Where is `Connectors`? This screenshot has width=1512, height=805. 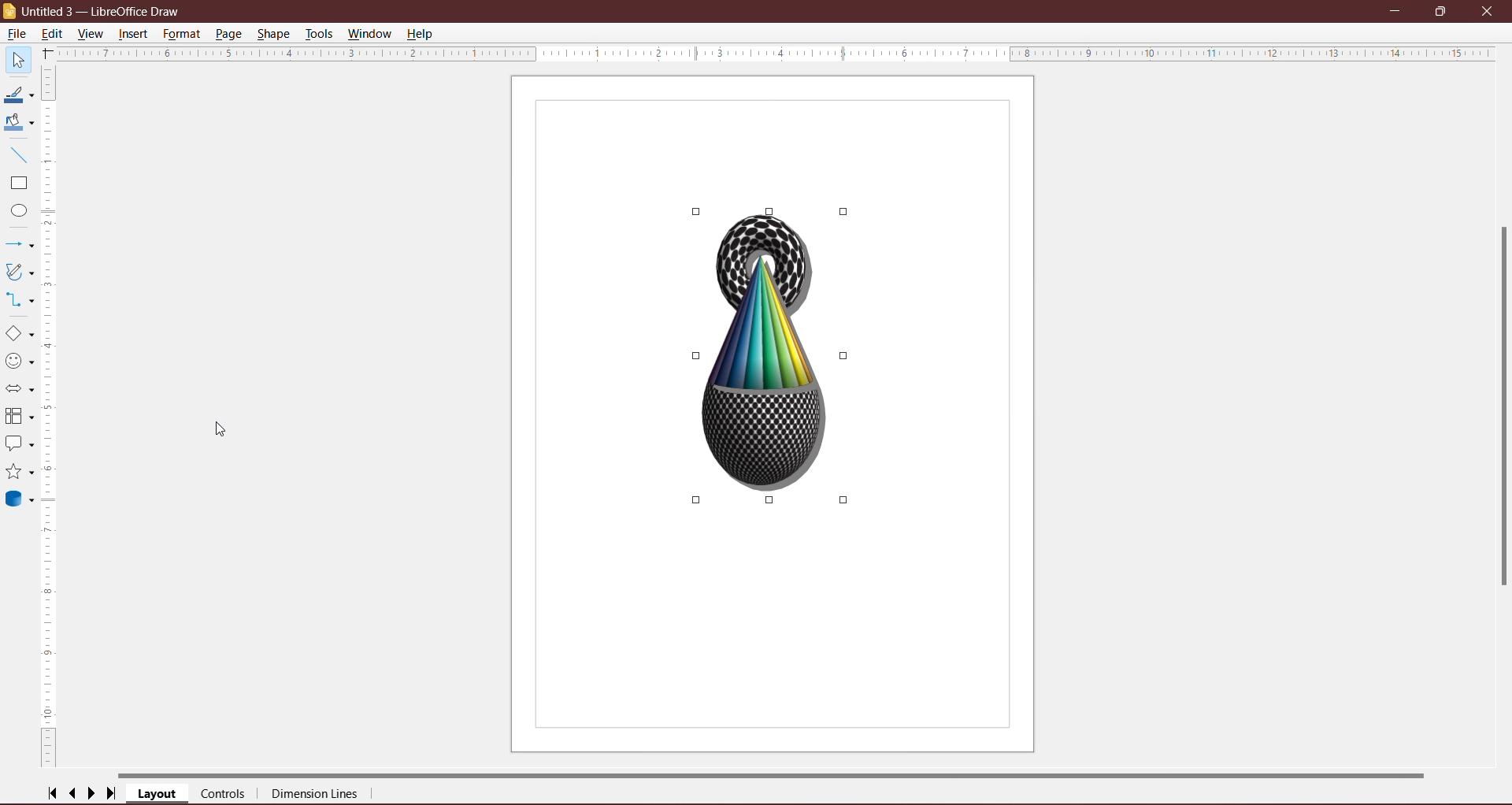
Connectors is located at coordinates (20, 299).